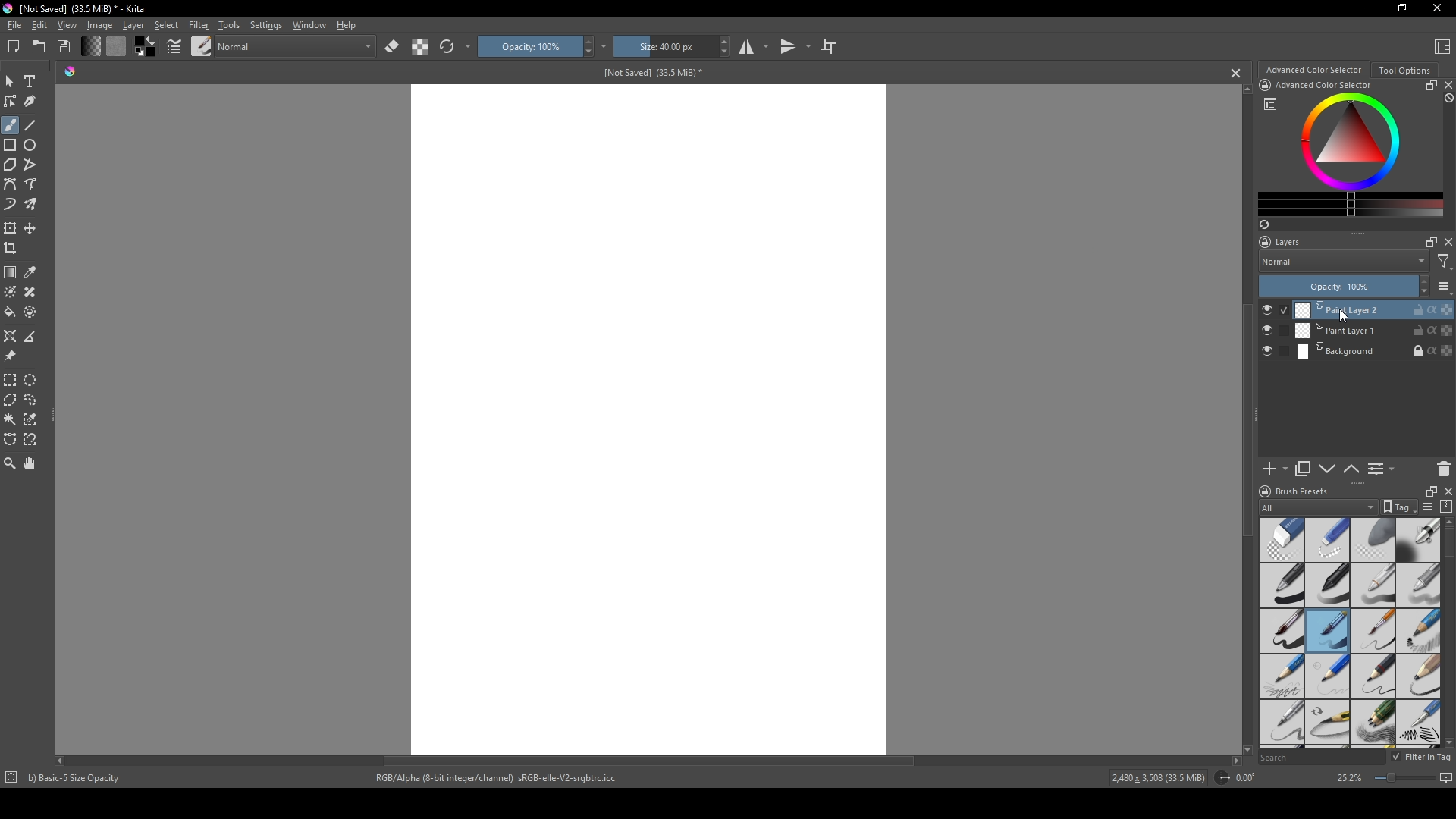  What do you see at coordinates (33, 337) in the screenshot?
I see `measure` at bounding box center [33, 337].